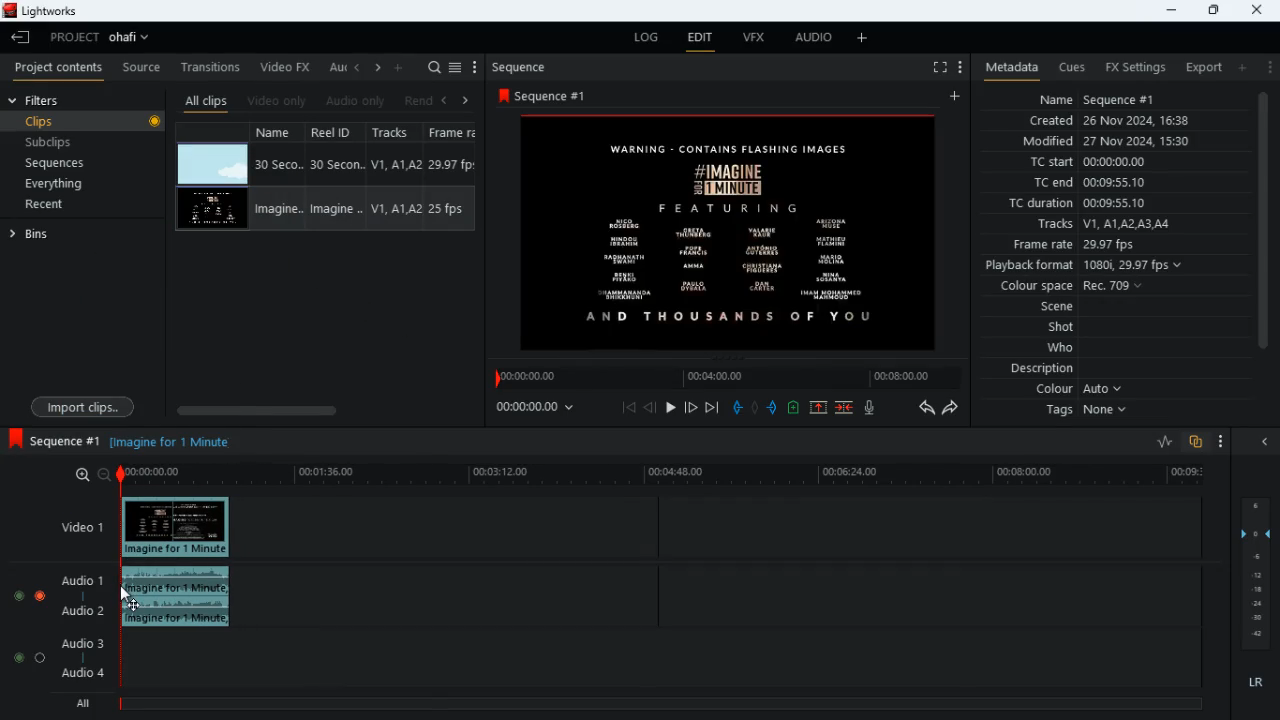 This screenshot has width=1280, height=720. Describe the element at coordinates (926, 407) in the screenshot. I see `backward` at that location.